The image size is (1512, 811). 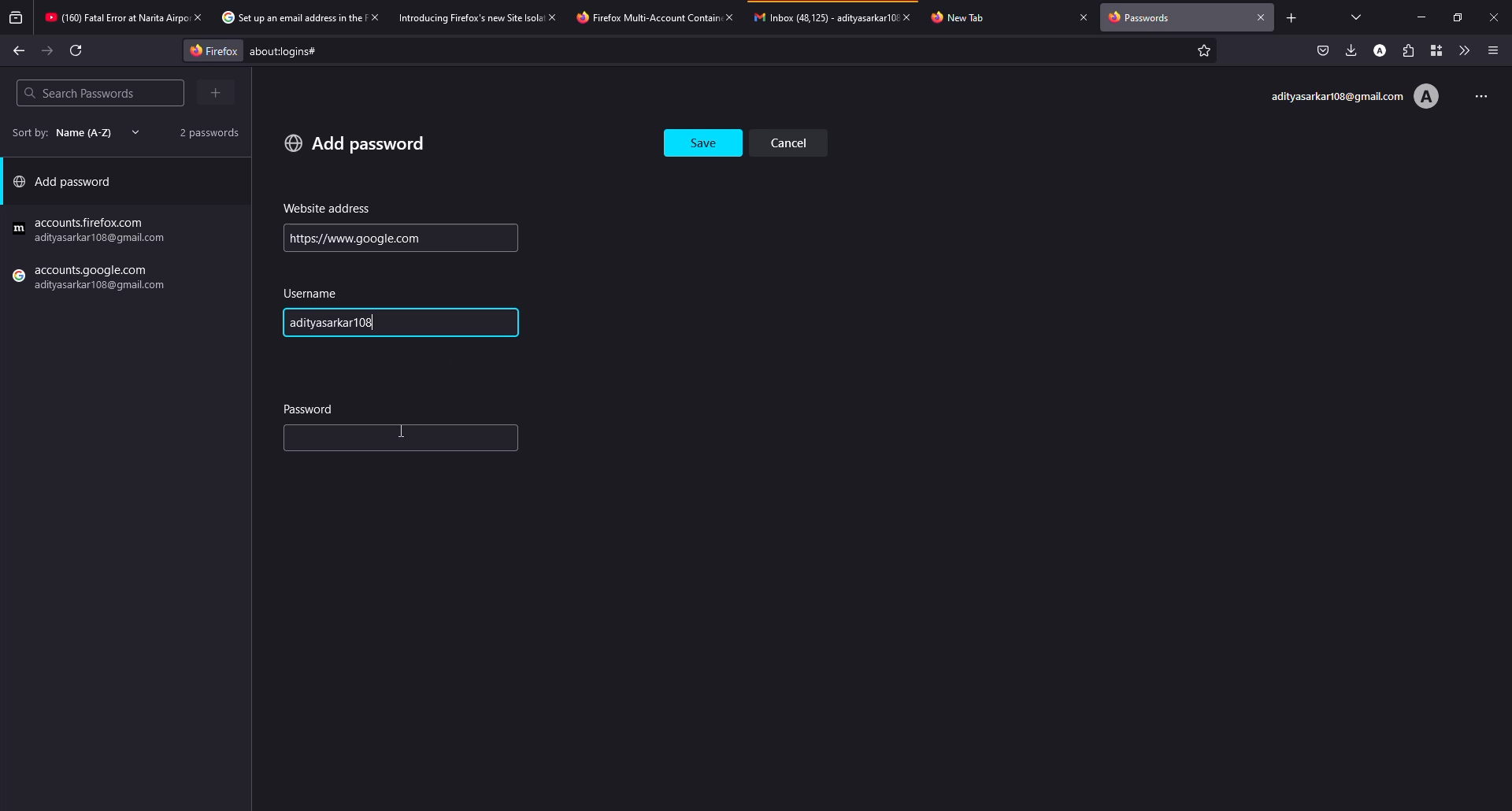 I want to click on tab, so click(x=113, y=19).